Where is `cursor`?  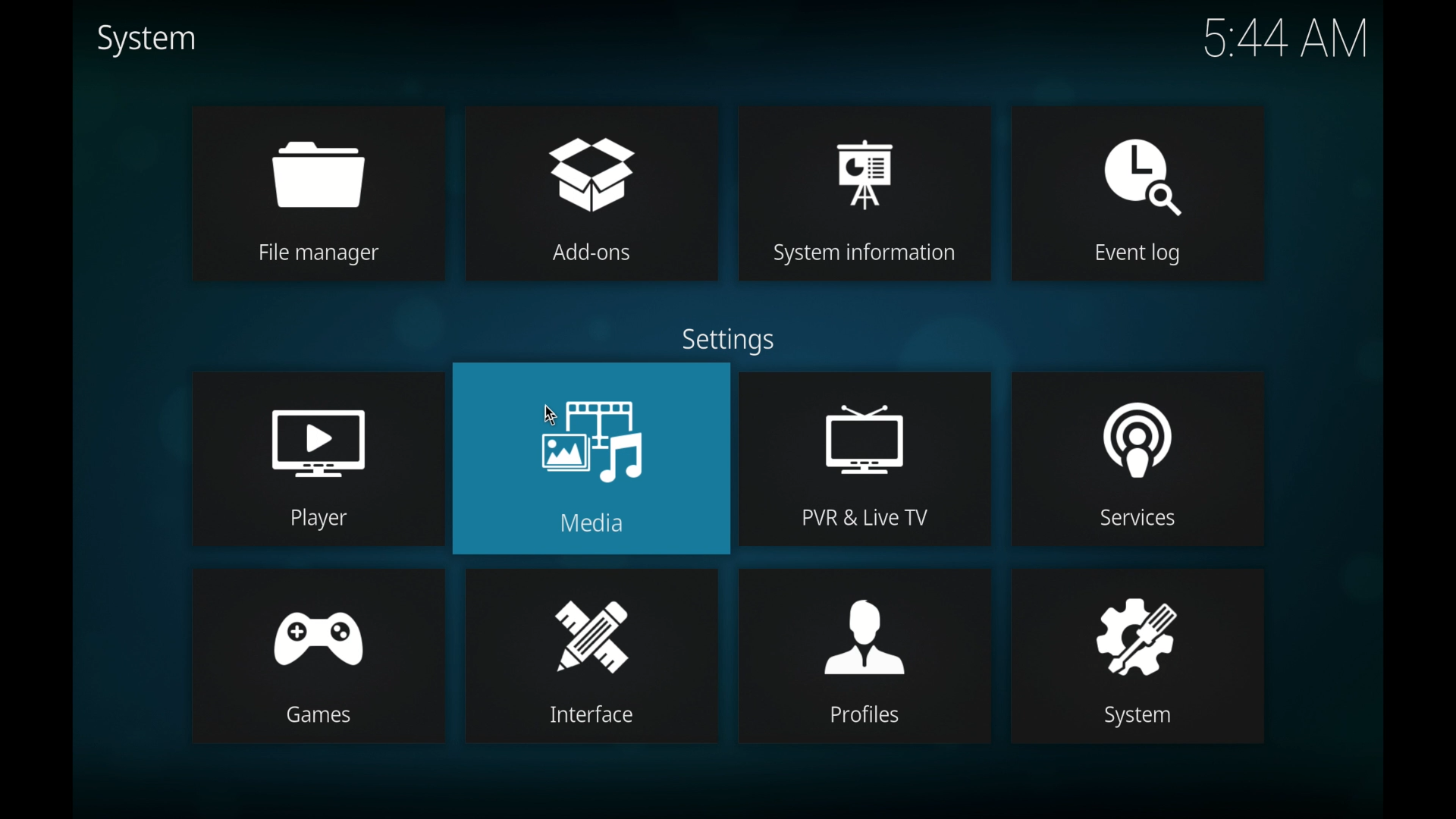 cursor is located at coordinates (551, 413).